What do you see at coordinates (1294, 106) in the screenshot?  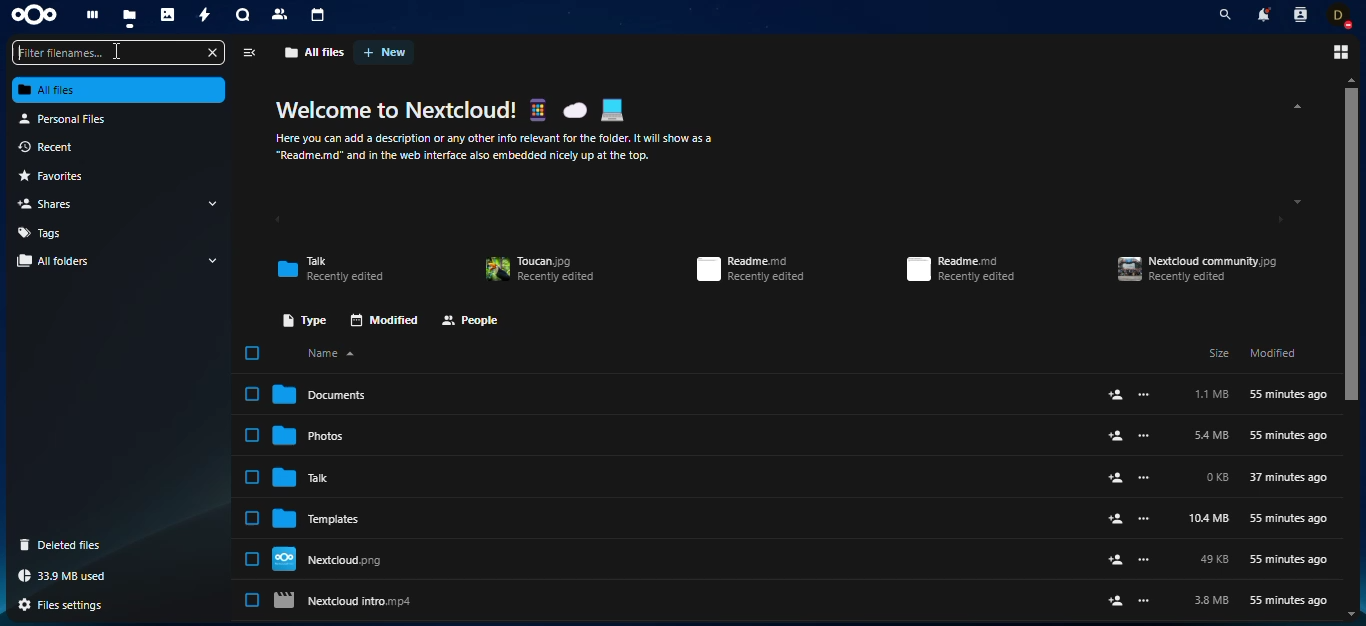 I see `scroll up` at bounding box center [1294, 106].